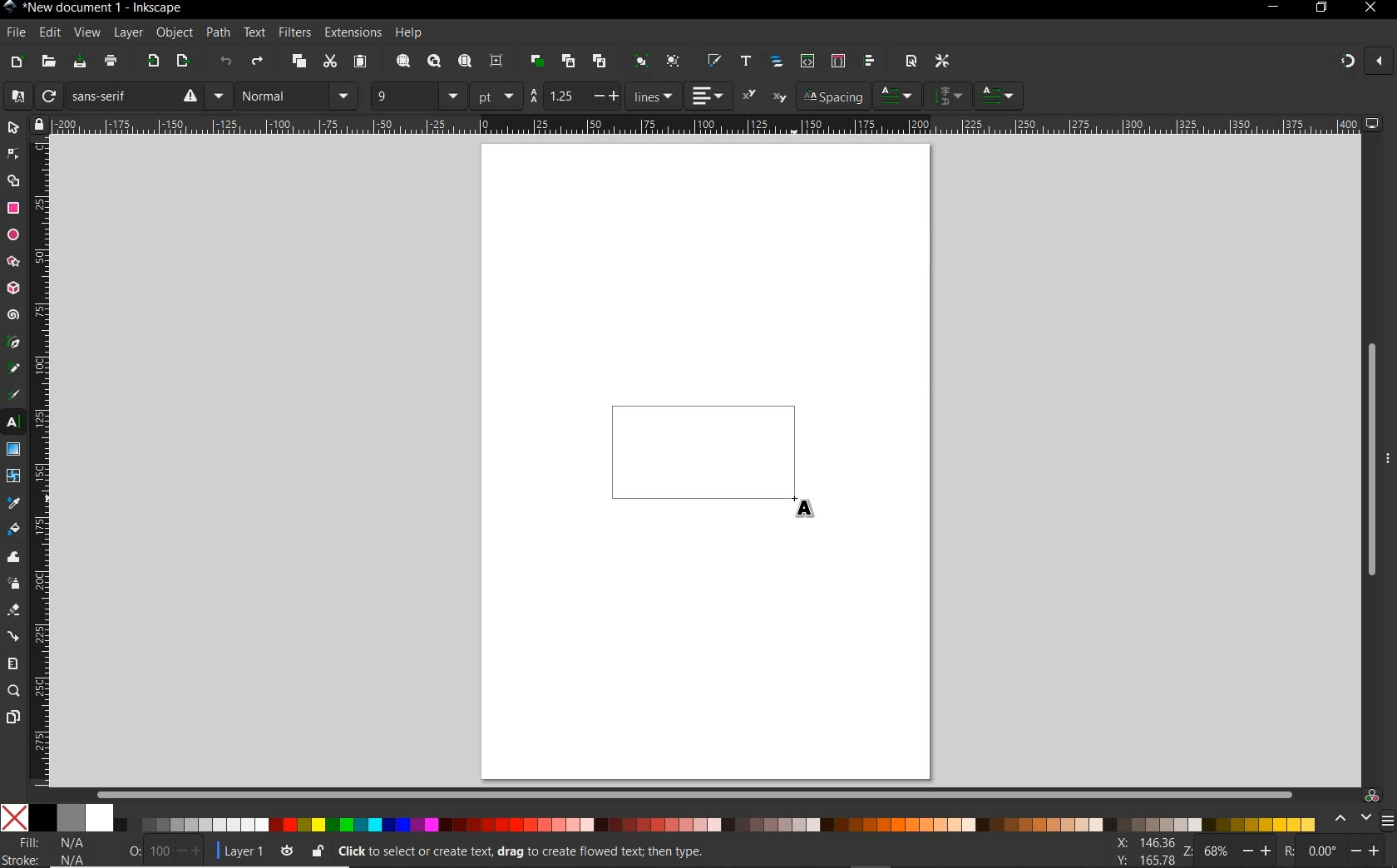 The height and width of the screenshot is (868, 1397). I want to click on computer icon, so click(1373, 123).